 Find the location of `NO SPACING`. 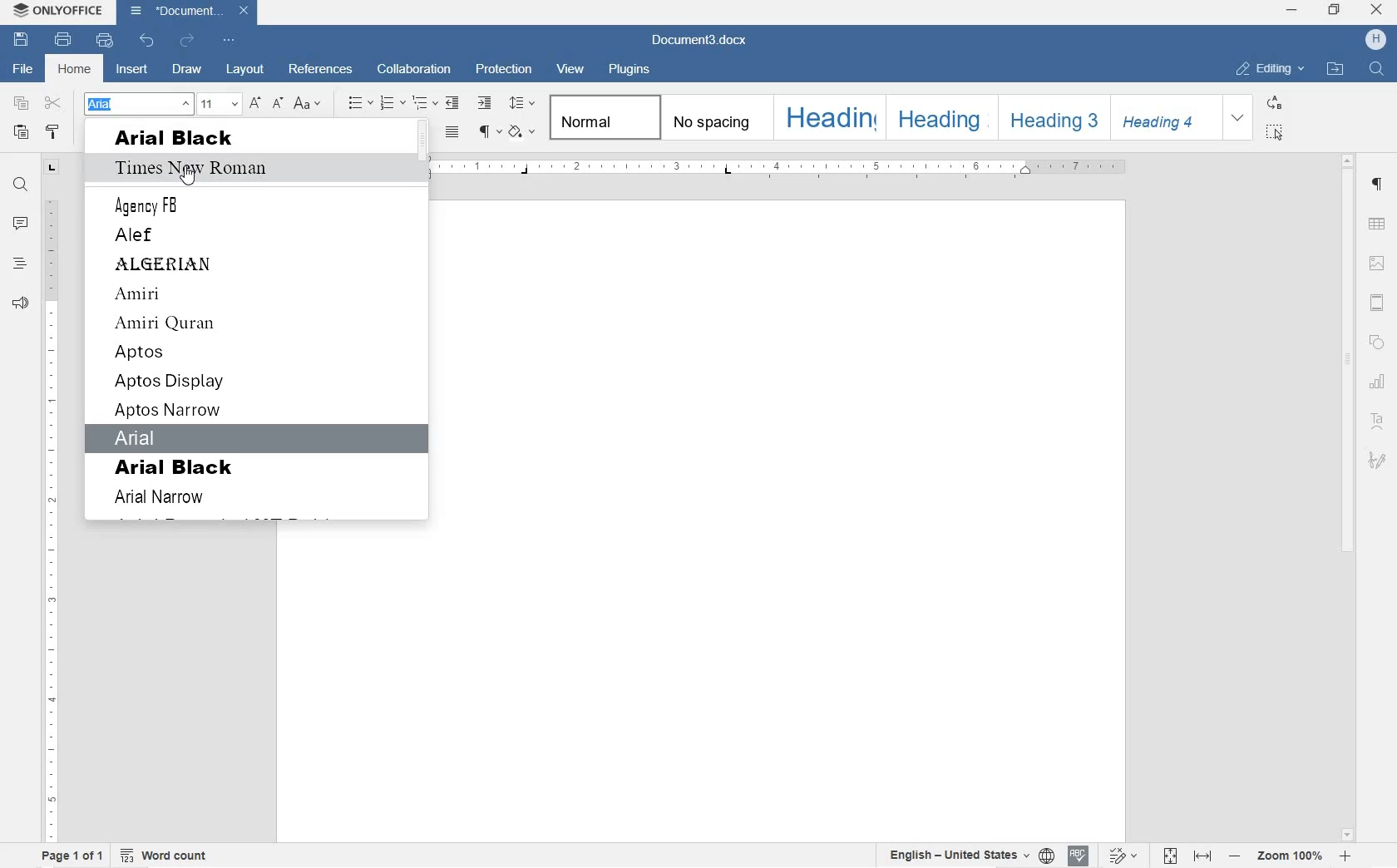

NO SPACING is located at coordinates (715, 117).